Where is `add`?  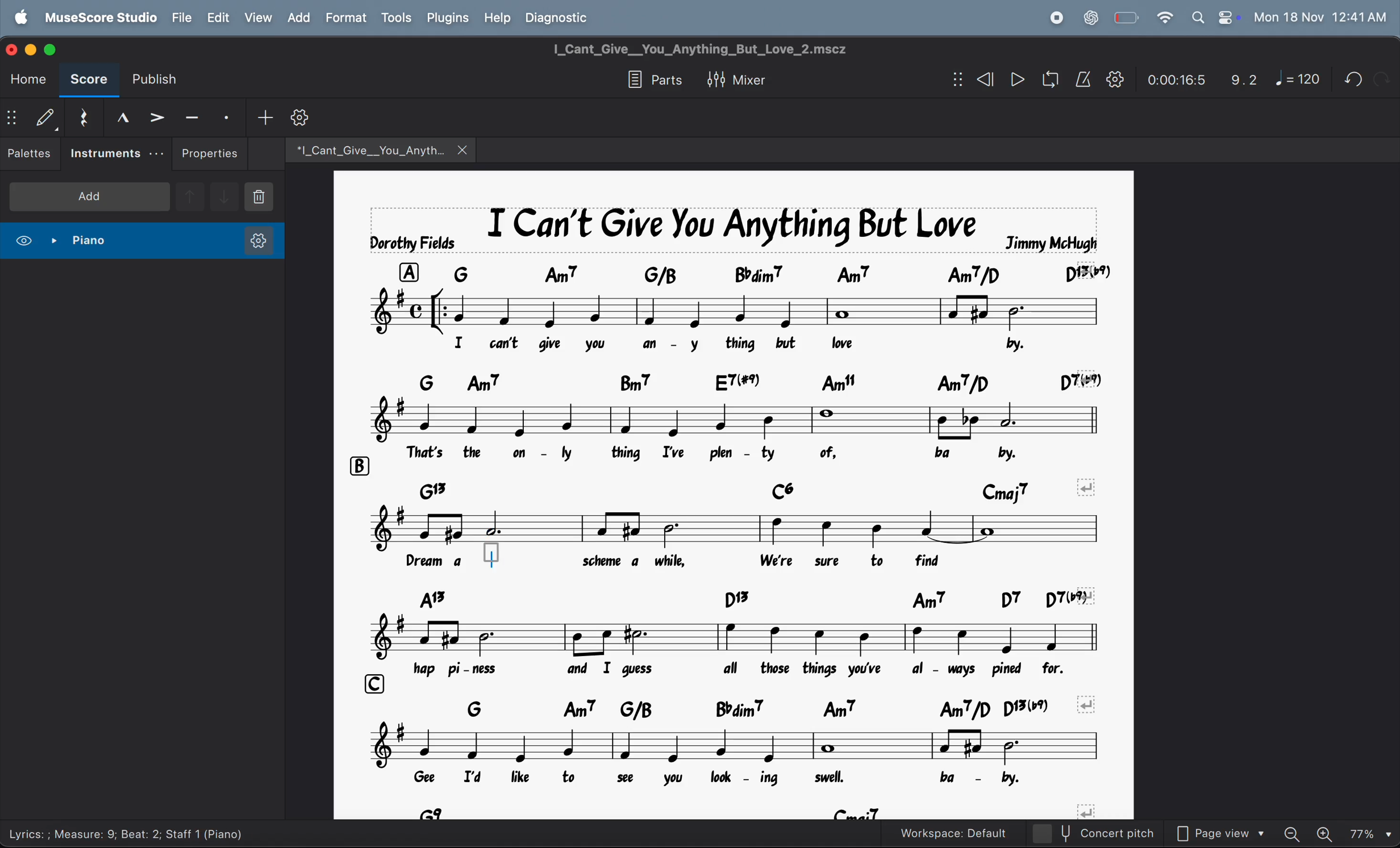
add is located at coordinates (87, 197).